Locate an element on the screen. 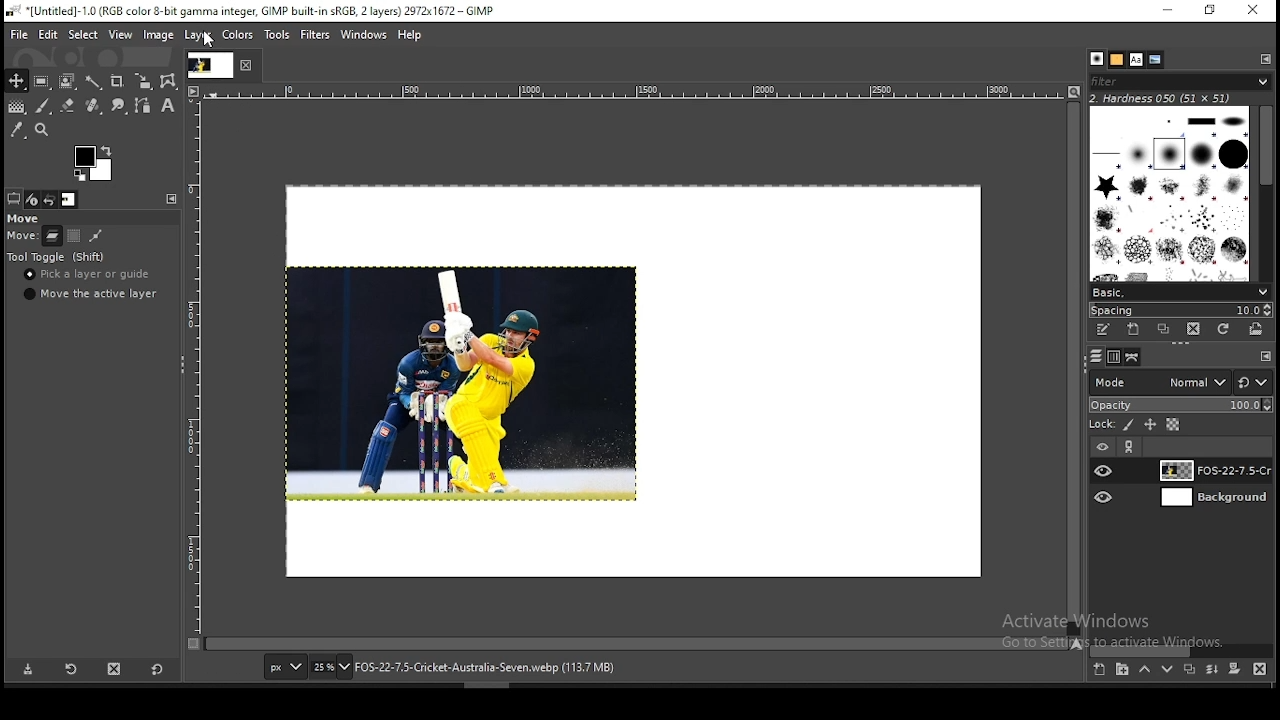  tool options is located at coordinates (14, 198).